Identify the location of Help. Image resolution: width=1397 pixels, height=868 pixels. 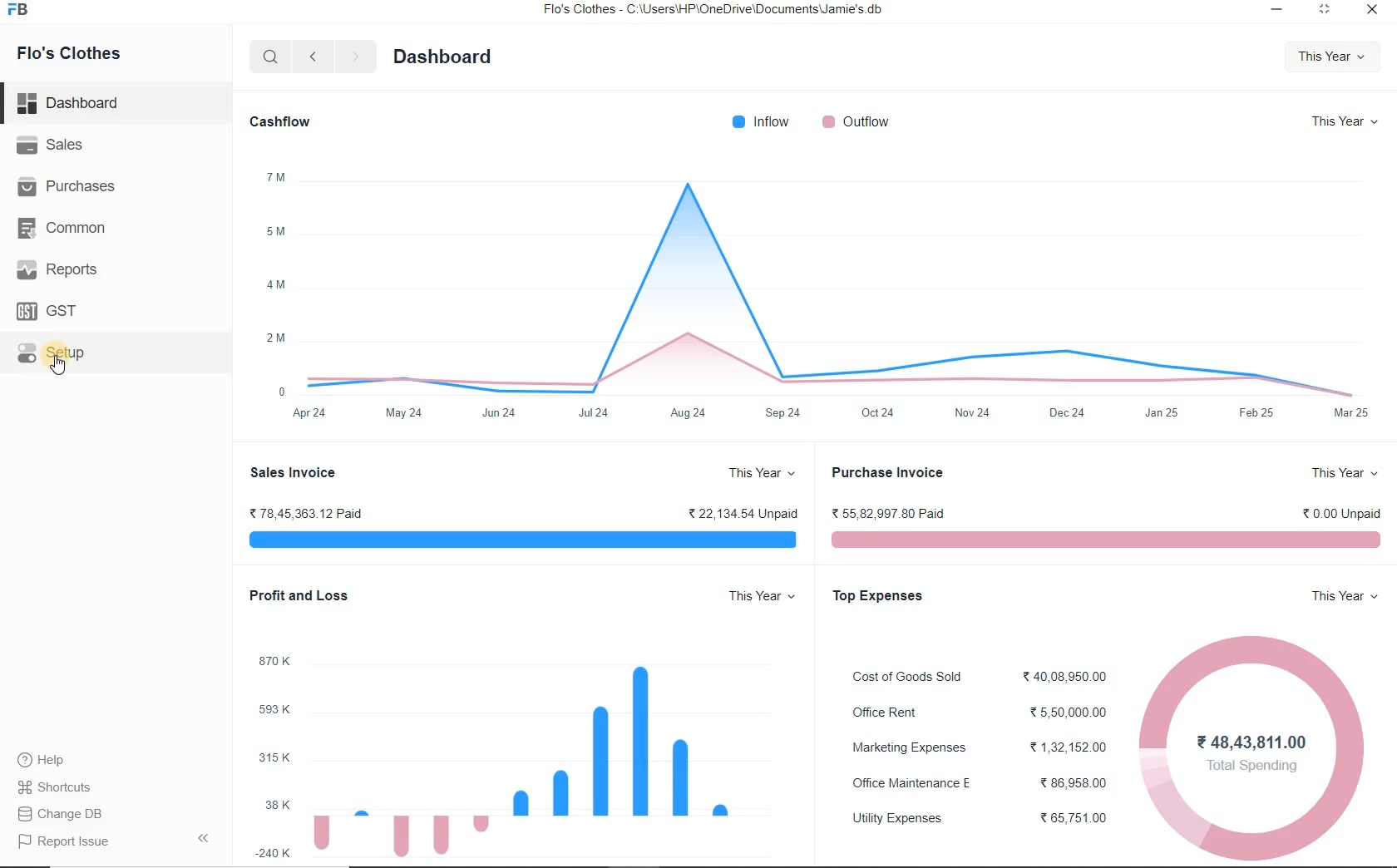
(41, 759).